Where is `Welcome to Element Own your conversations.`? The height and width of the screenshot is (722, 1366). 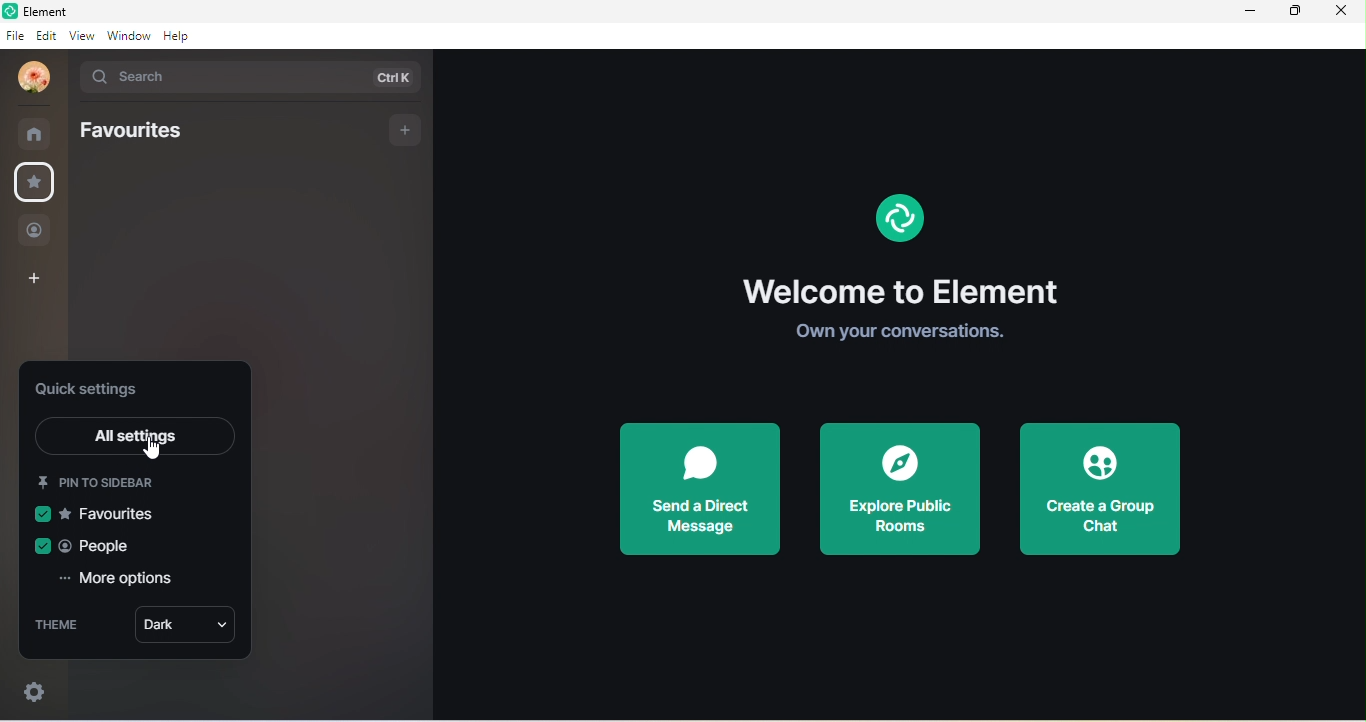
Welcome to Element Own your conversations. is located at coordinates (899, 314).